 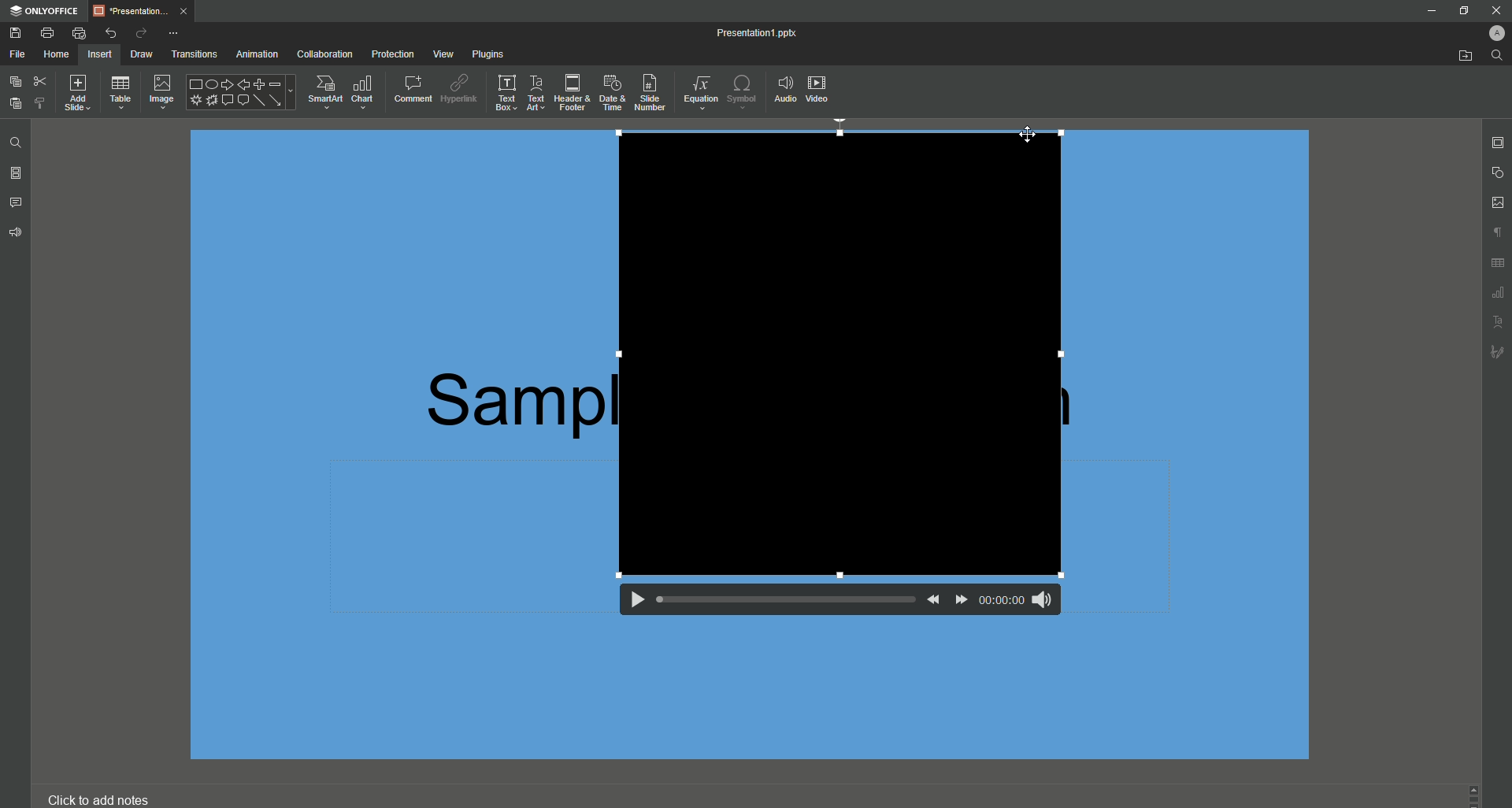 What do you see at coordinates (160, 93) in the screenshot?
I see `Image` at bounding box center [160, 93].